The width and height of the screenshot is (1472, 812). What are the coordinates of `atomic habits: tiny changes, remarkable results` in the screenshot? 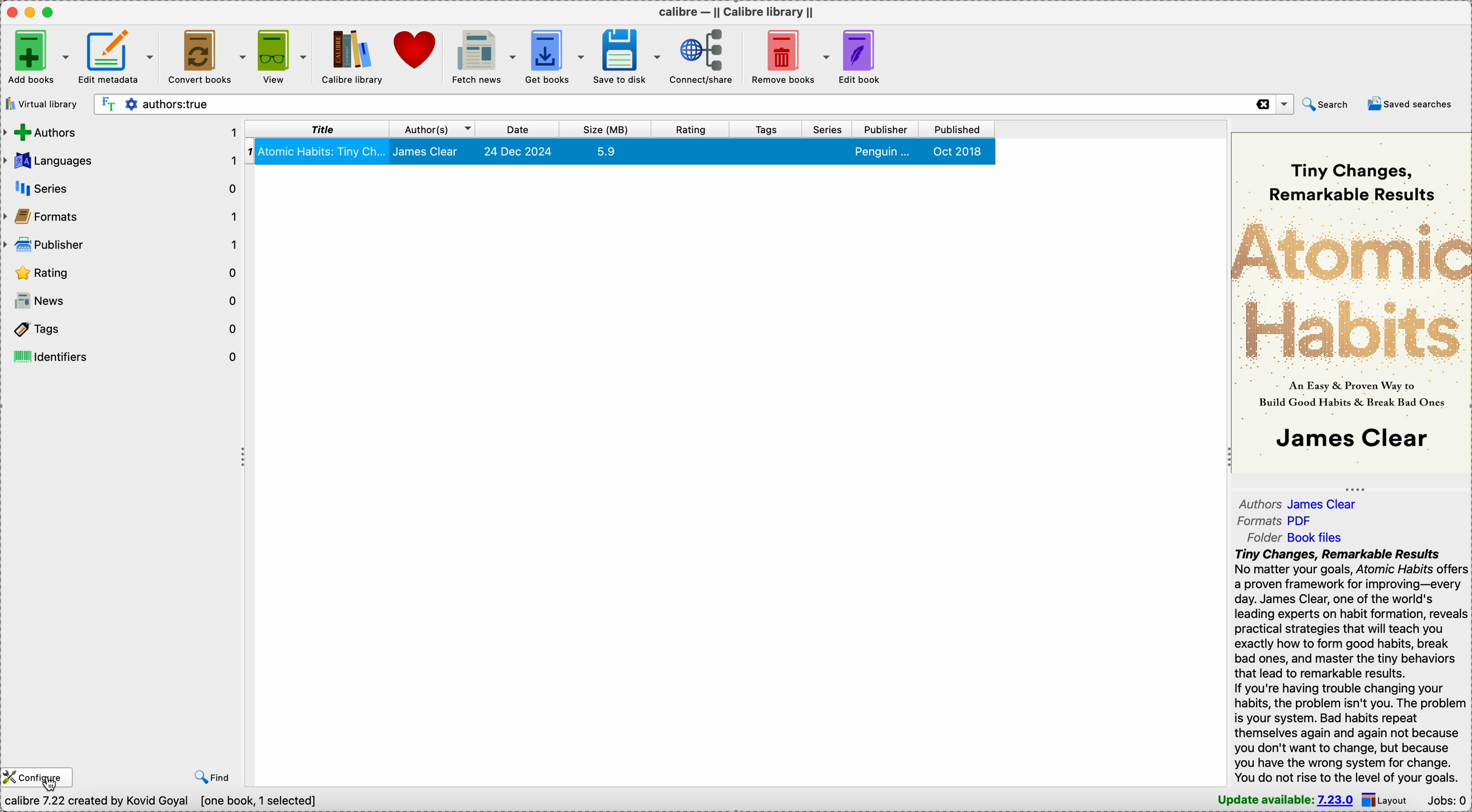 It's located at (325, 152).